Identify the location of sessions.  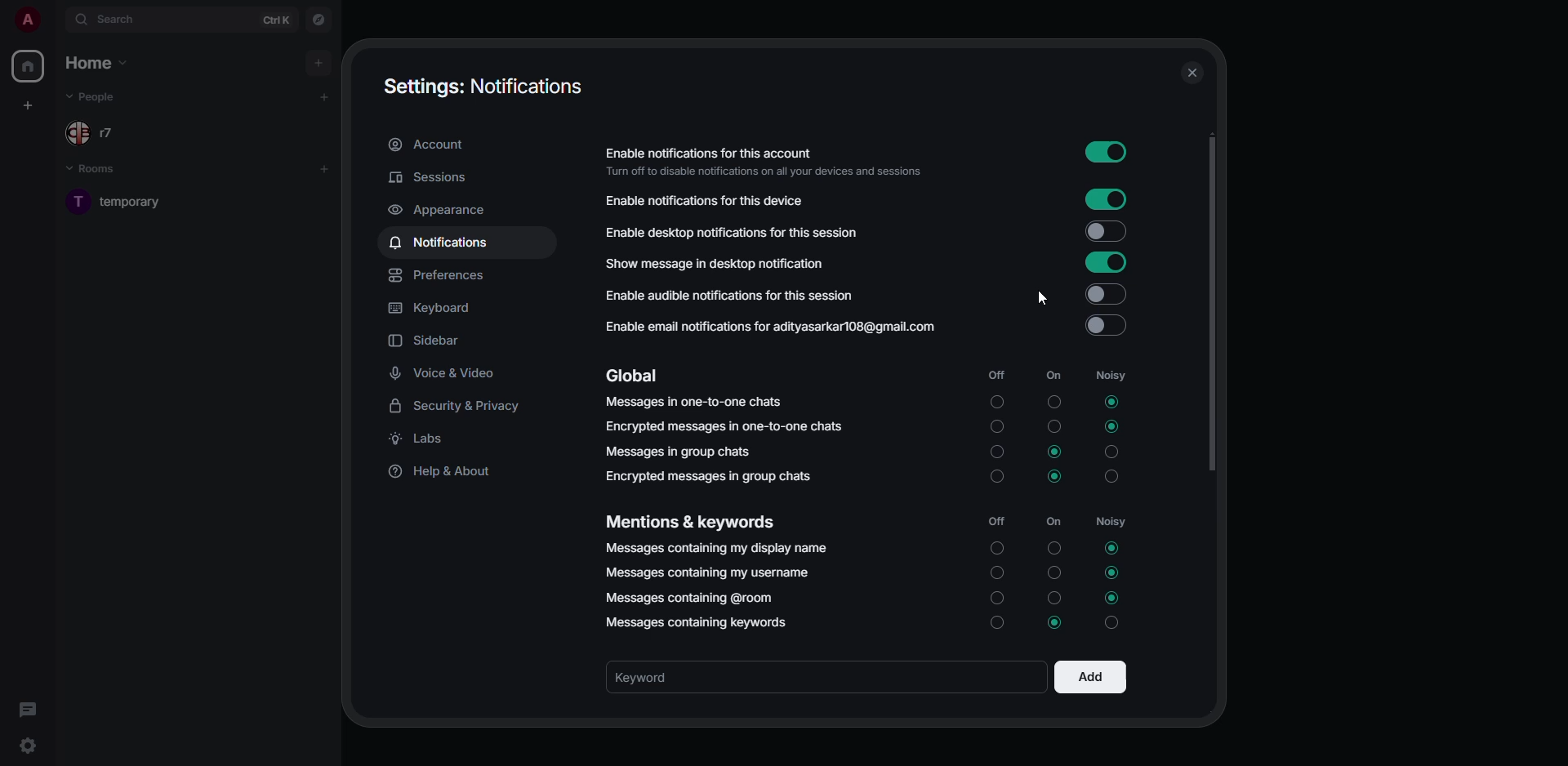
(433, 176).